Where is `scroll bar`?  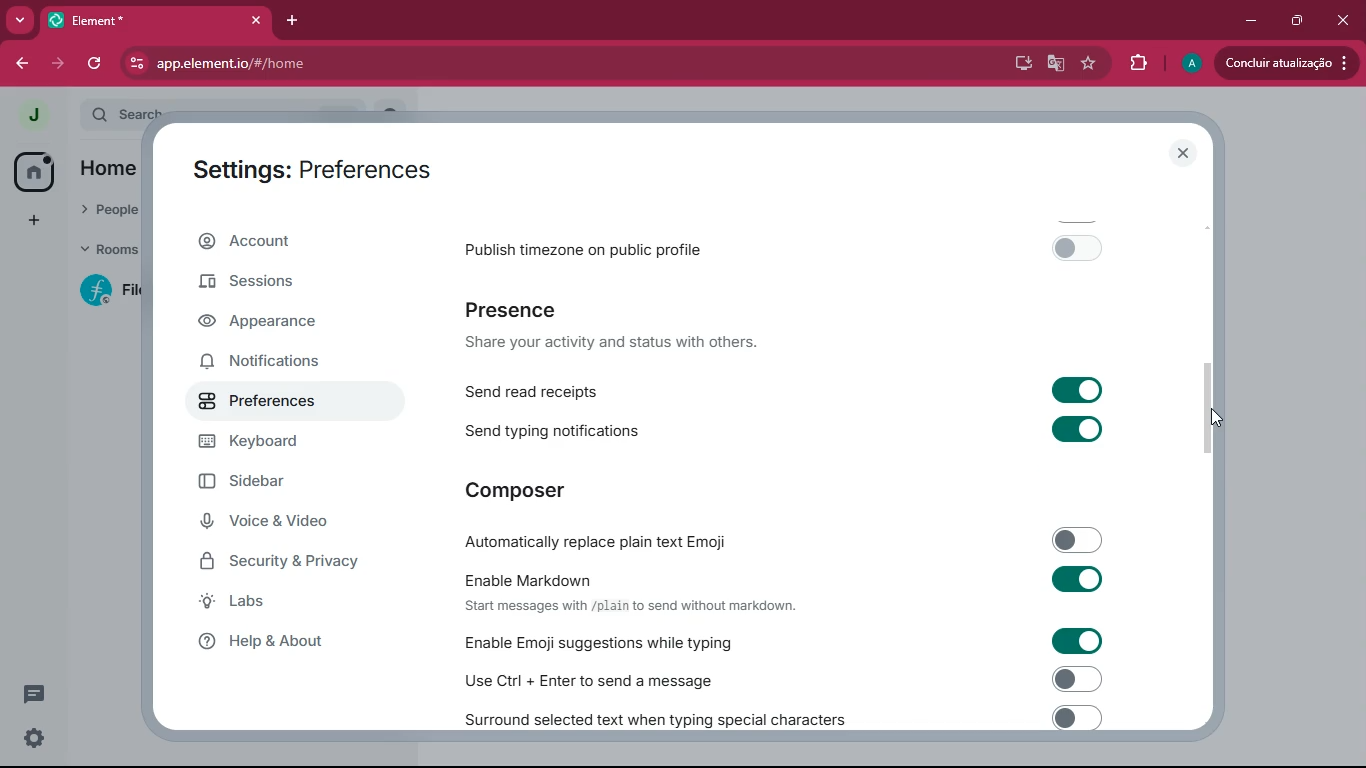 scroll bar is located at coordinates (1210, 412).